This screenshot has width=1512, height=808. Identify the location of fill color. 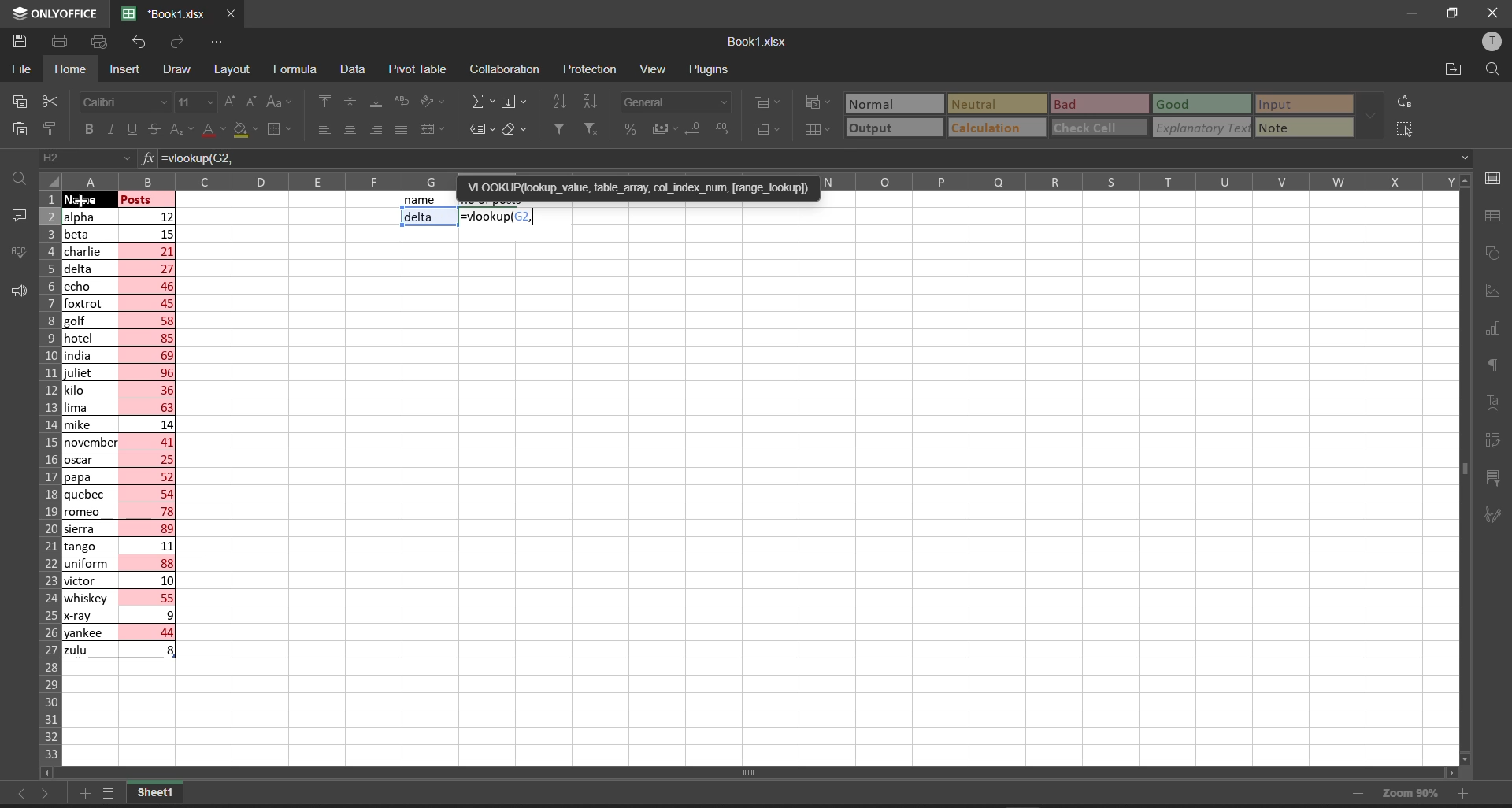
(247, 131).